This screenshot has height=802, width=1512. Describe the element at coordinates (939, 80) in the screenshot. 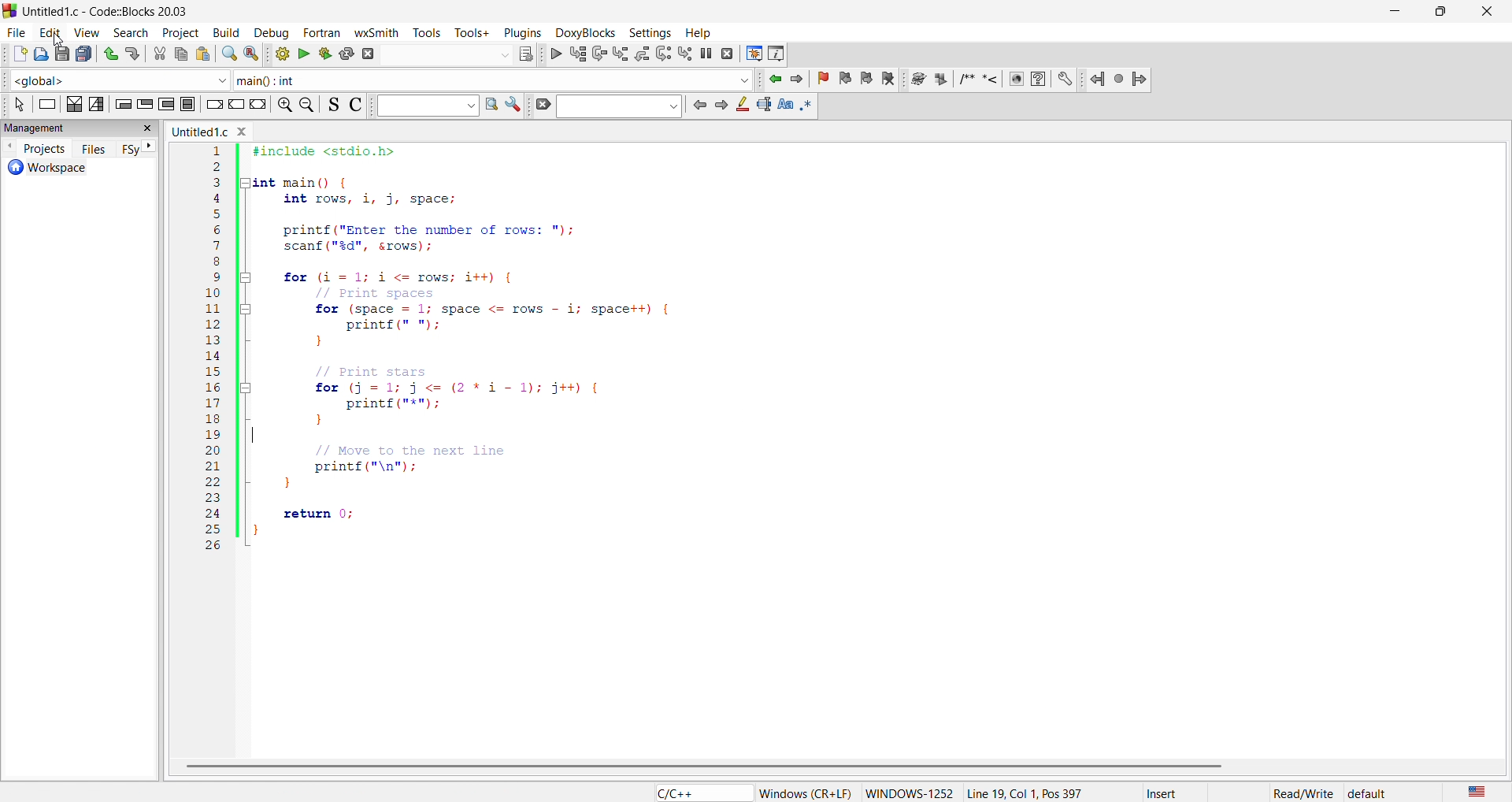

I see `extract` at that location.